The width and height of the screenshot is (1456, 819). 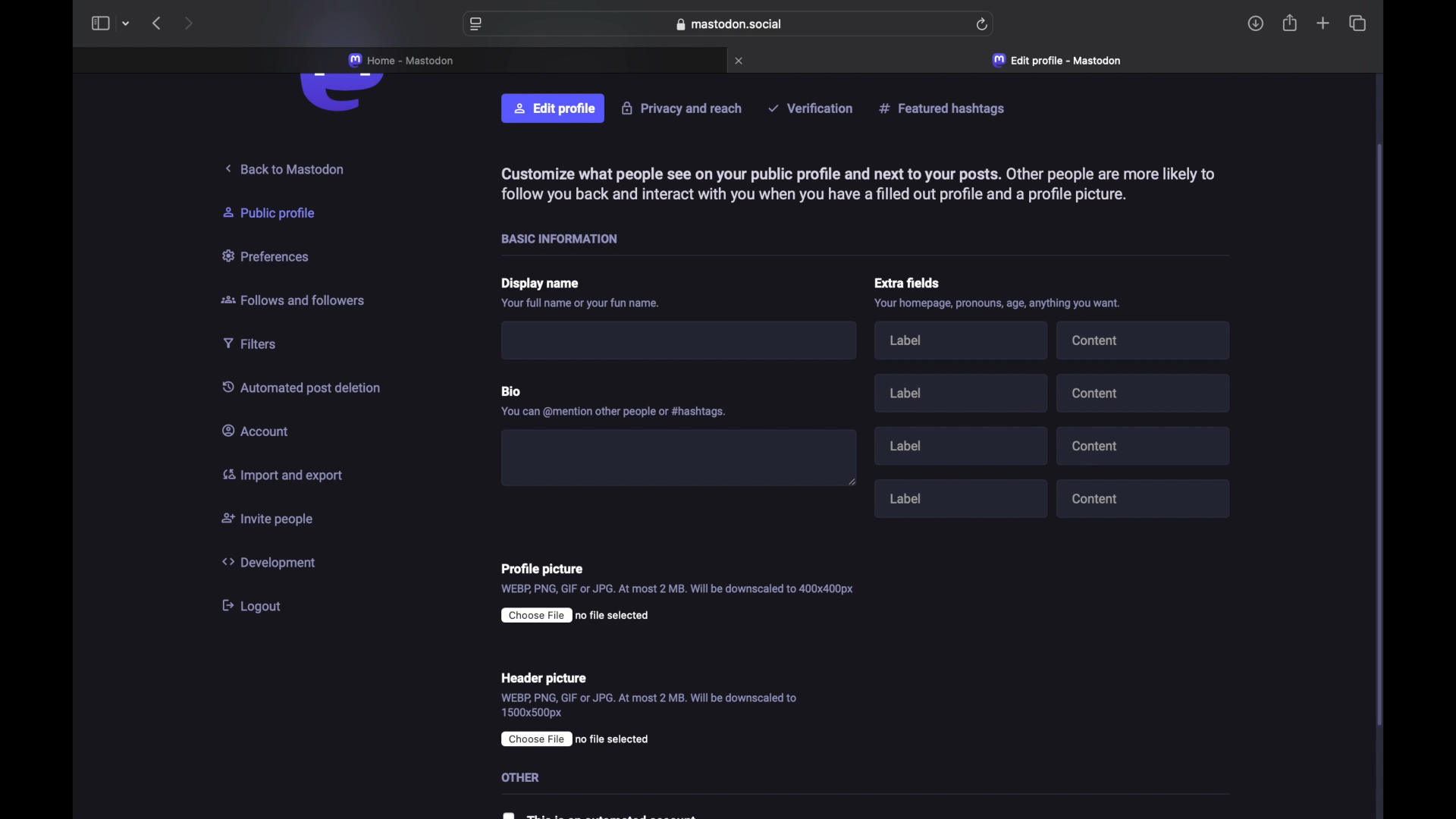 What do you see at coordinates (1379, 435) in the screenshot?
I see `scroll bar` at bounding box center [1379, 435].